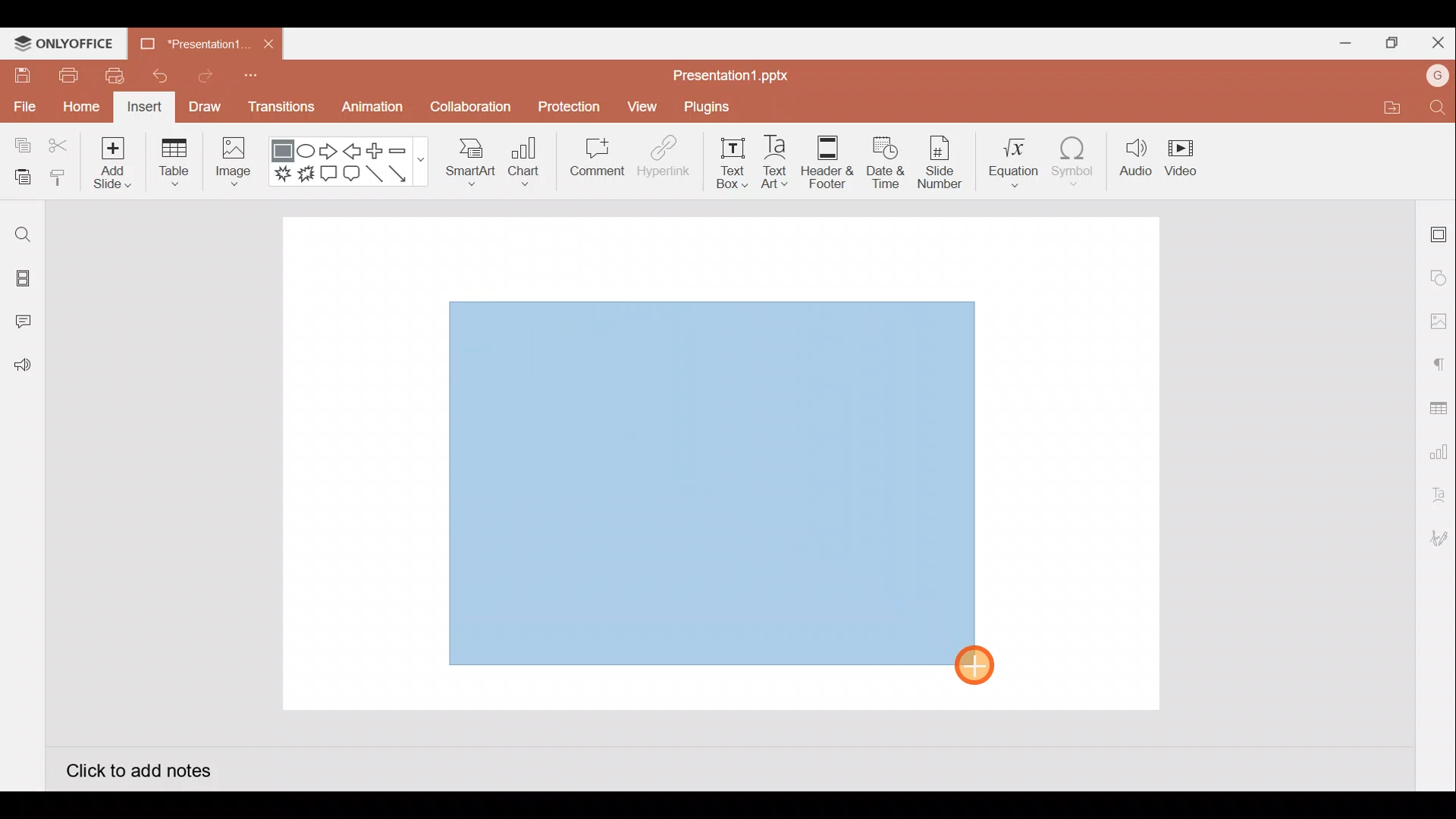 The width and height of the screenshot is (1456, 819). What do you see at coordinates (733, 163) in the screenshot?
I see `Text box` at bounding box center [733, 163].